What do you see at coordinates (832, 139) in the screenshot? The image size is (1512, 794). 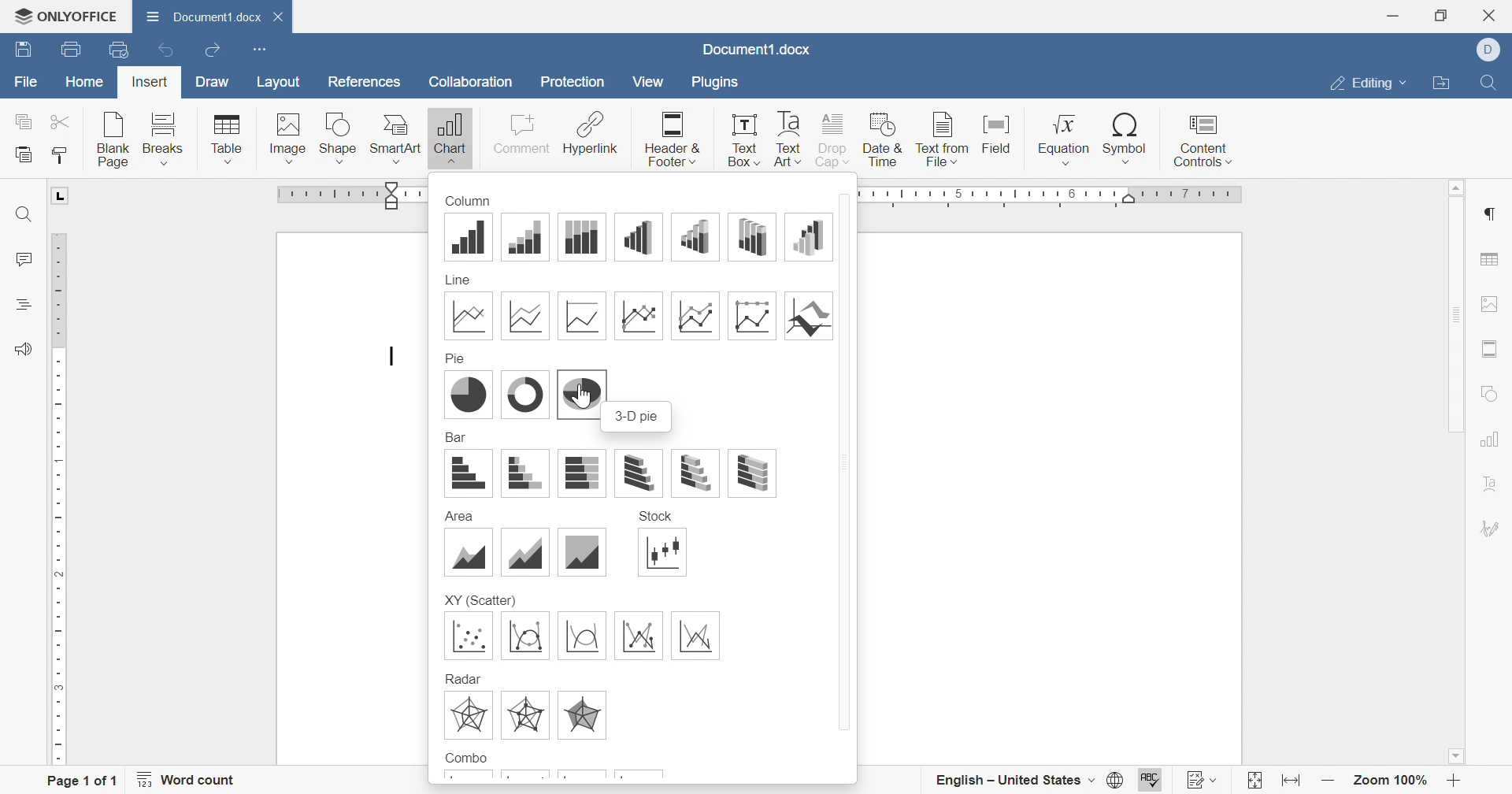 I see `Drop Cap` at bounding box center [832, 139].